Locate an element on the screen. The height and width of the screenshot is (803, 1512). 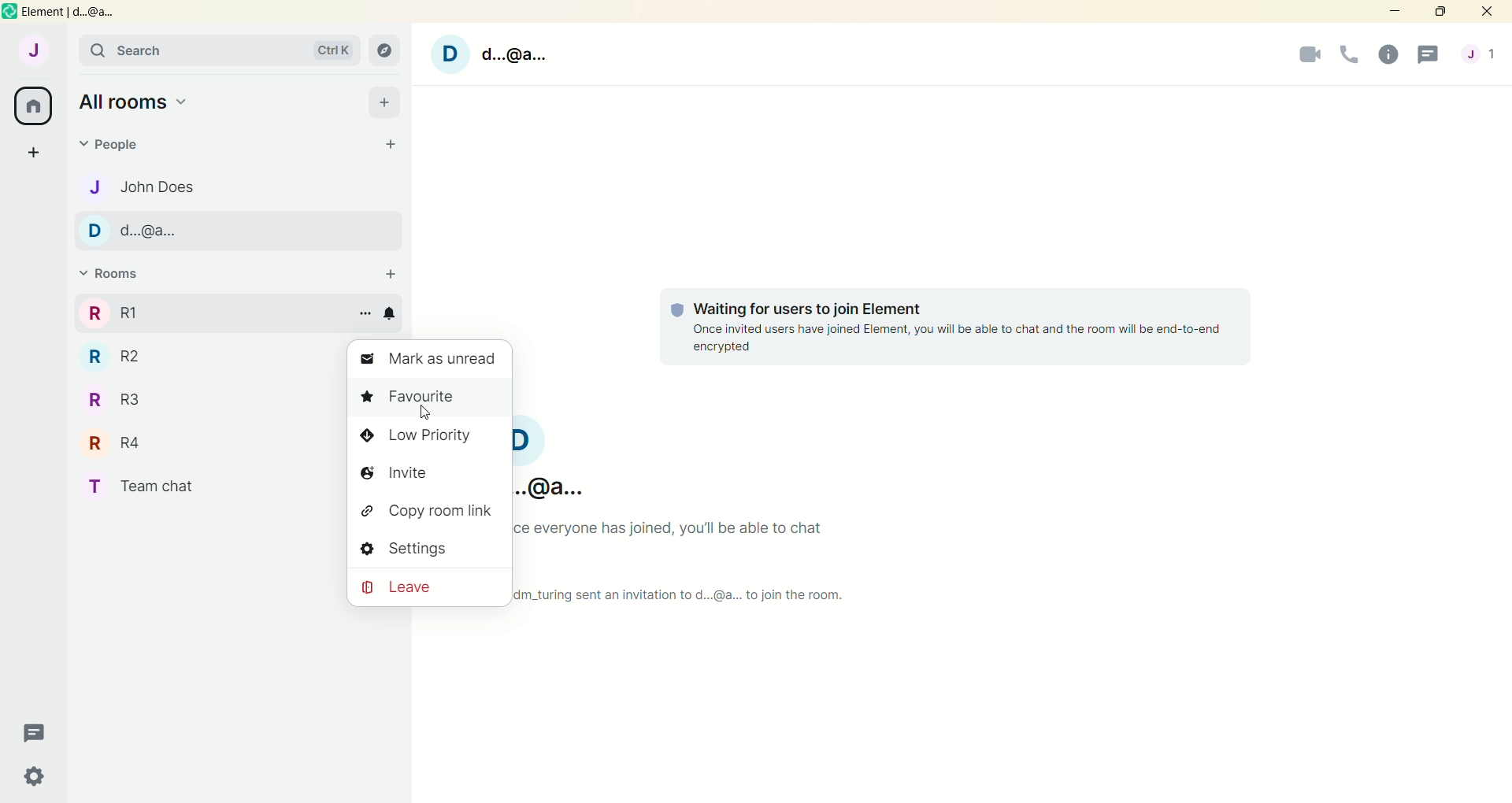
Minimize is located at coordinates (1397, 12).